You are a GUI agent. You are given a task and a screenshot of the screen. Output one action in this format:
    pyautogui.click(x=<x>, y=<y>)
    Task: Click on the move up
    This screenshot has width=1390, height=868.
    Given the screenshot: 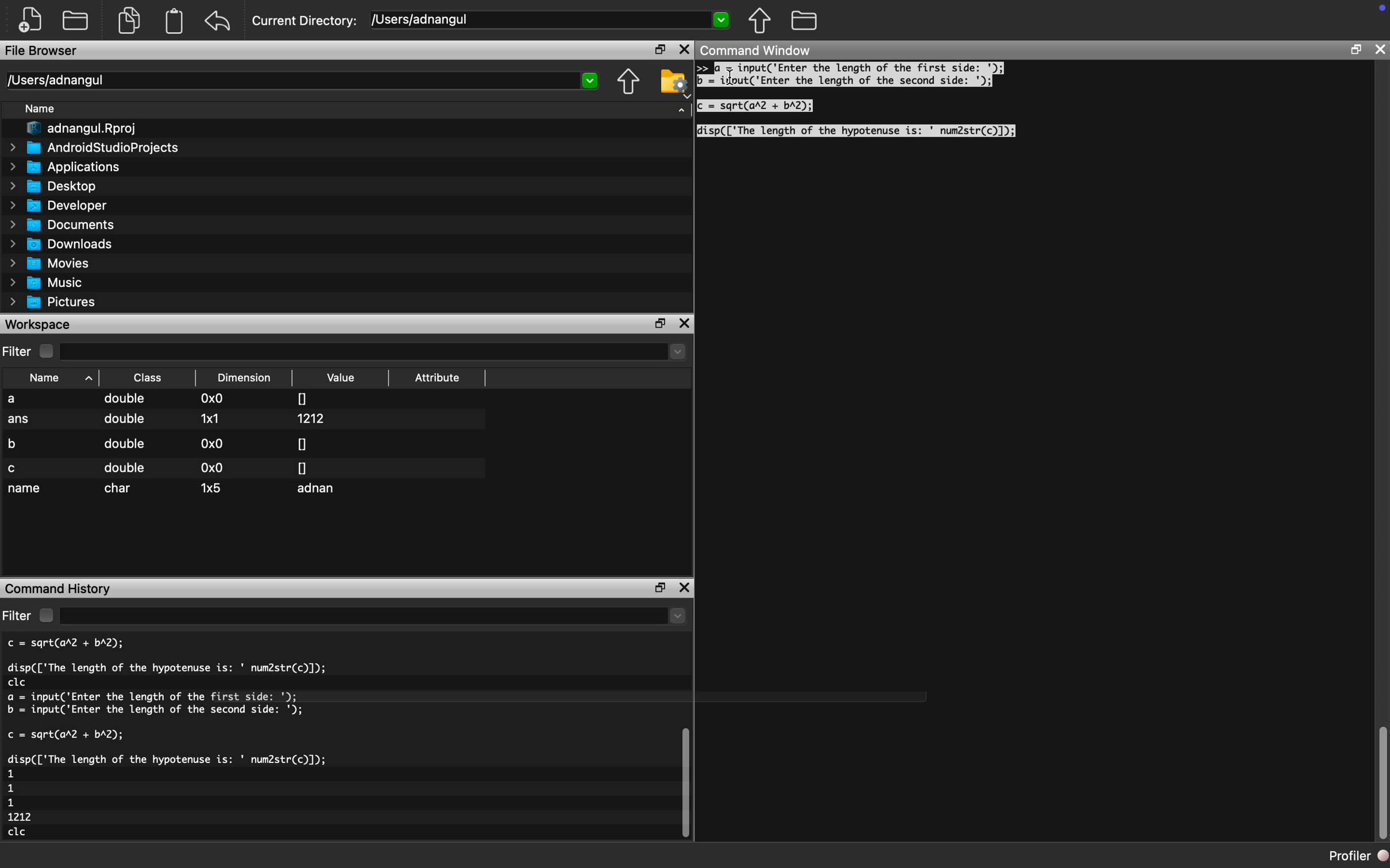 What is the action you would take?
    pyautogui.click(x=628, y=83)
    